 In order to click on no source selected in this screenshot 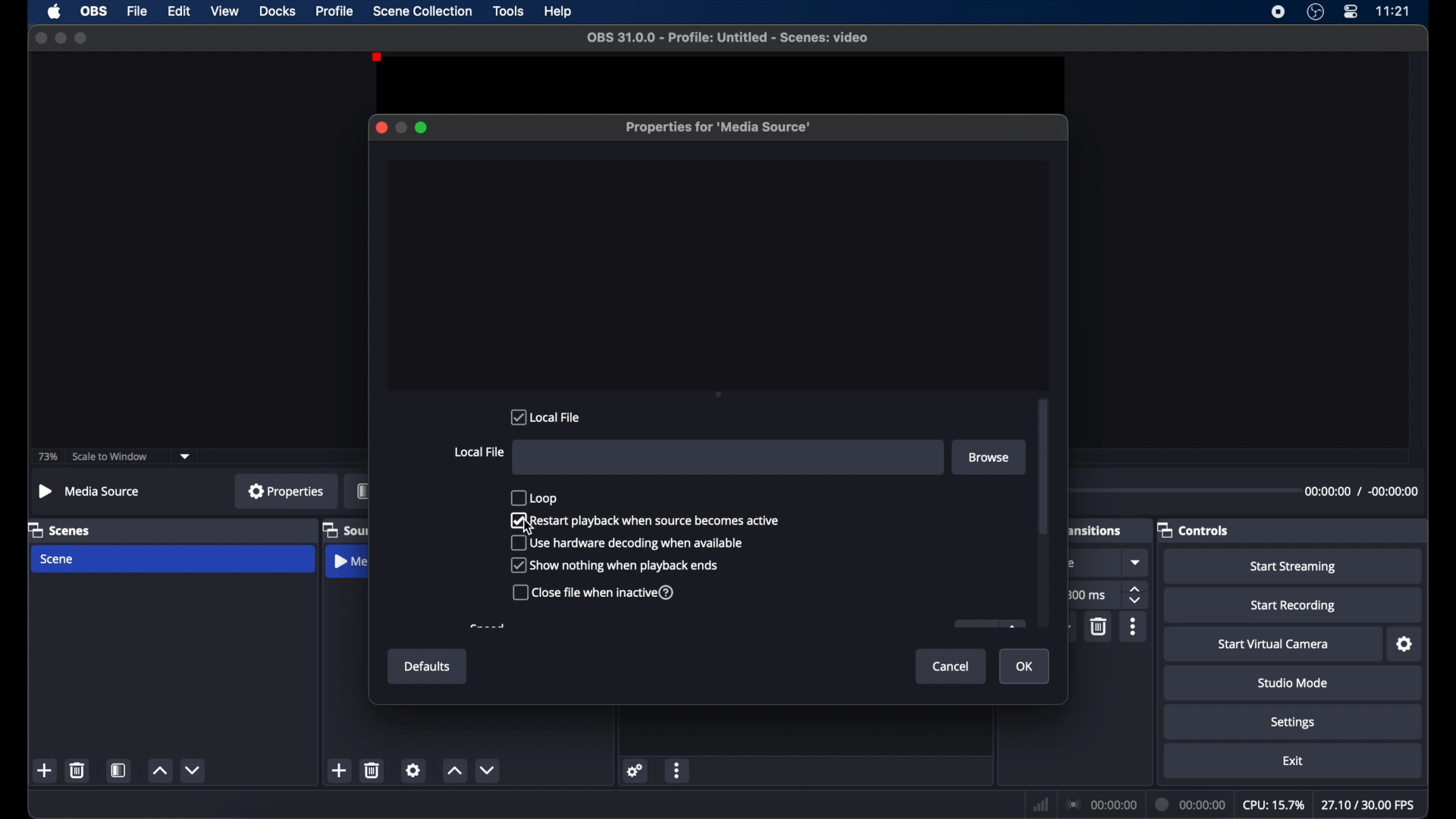, I will do `click(89, 491)`.